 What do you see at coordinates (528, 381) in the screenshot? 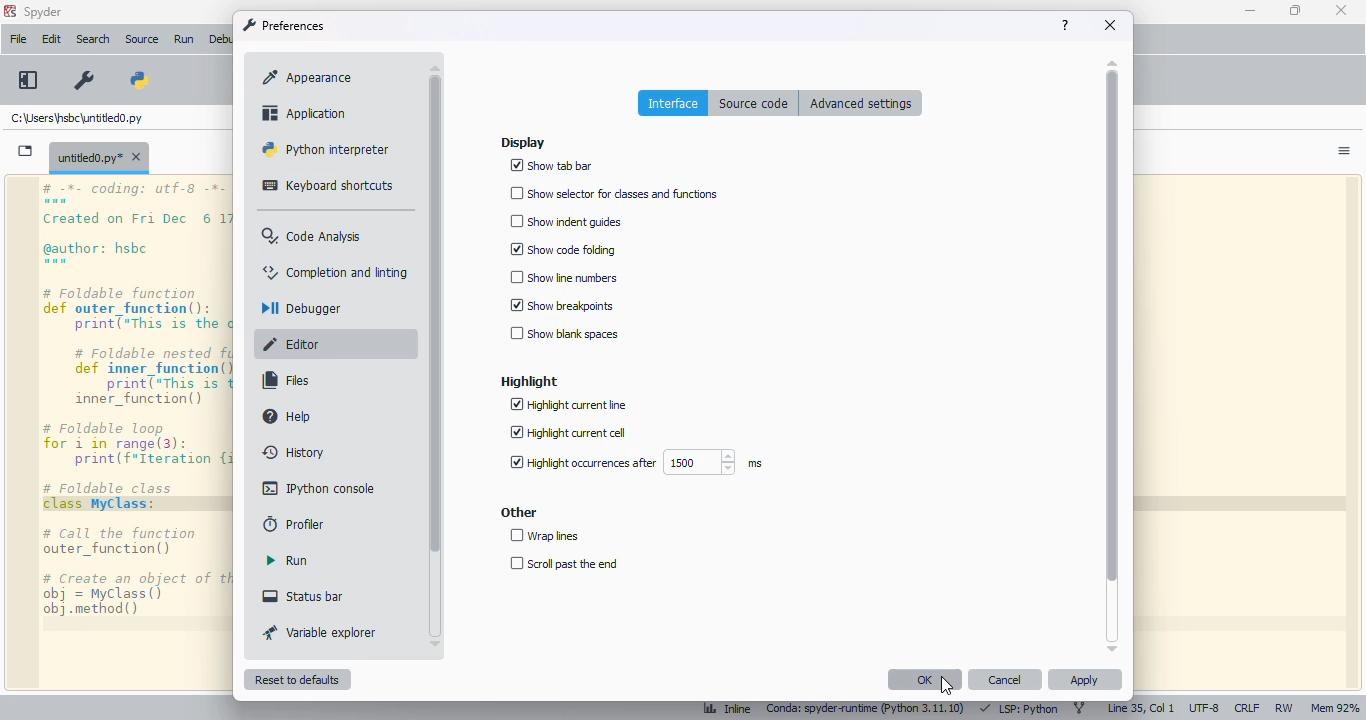
I see `highlight` at bounding box center [528, 381].